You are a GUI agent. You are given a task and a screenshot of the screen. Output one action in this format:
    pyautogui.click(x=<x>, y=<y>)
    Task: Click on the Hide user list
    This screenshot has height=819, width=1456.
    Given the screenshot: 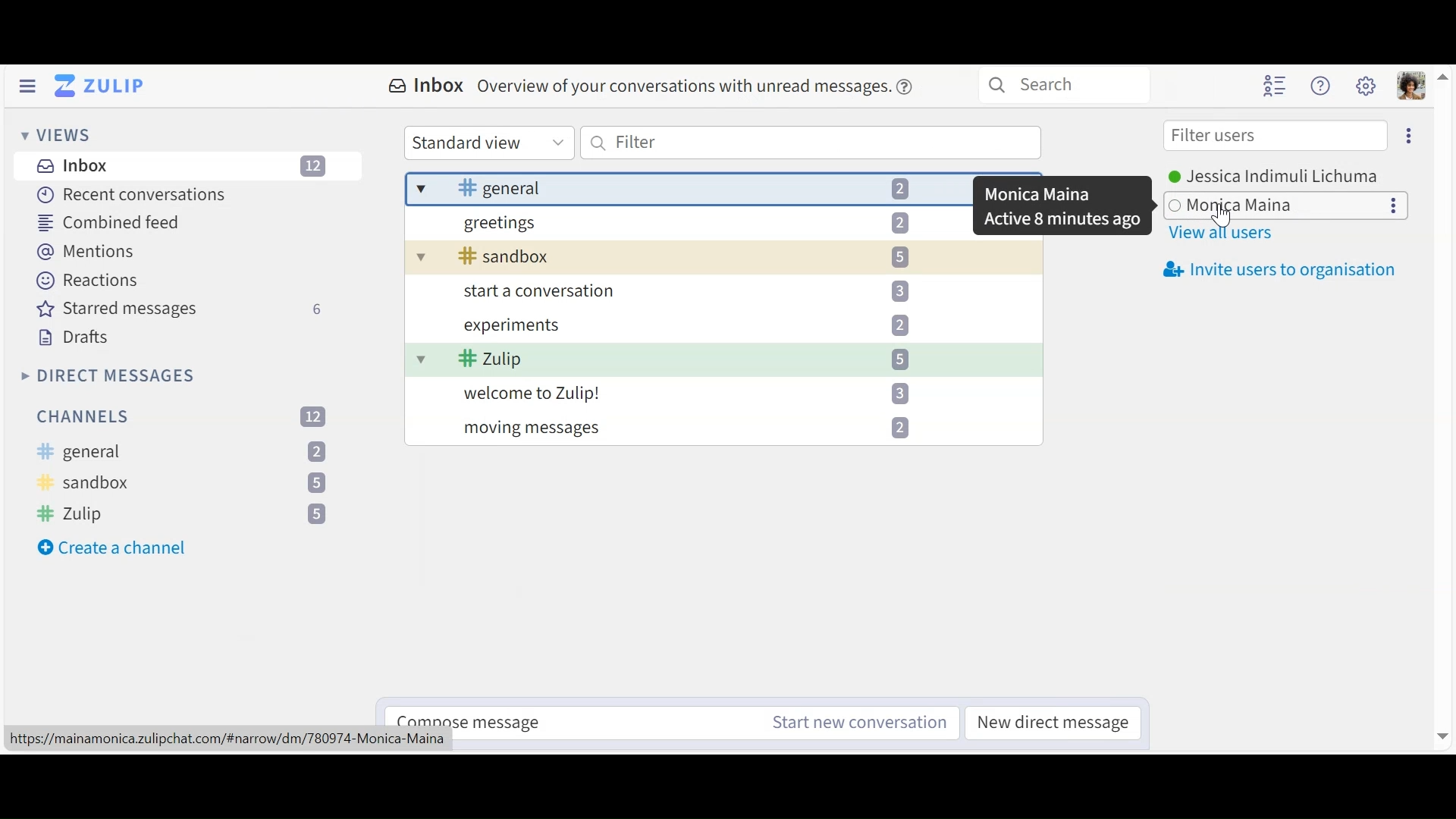 What is the action you would take?
    pyautogui.click(x=1276, y=85)
    